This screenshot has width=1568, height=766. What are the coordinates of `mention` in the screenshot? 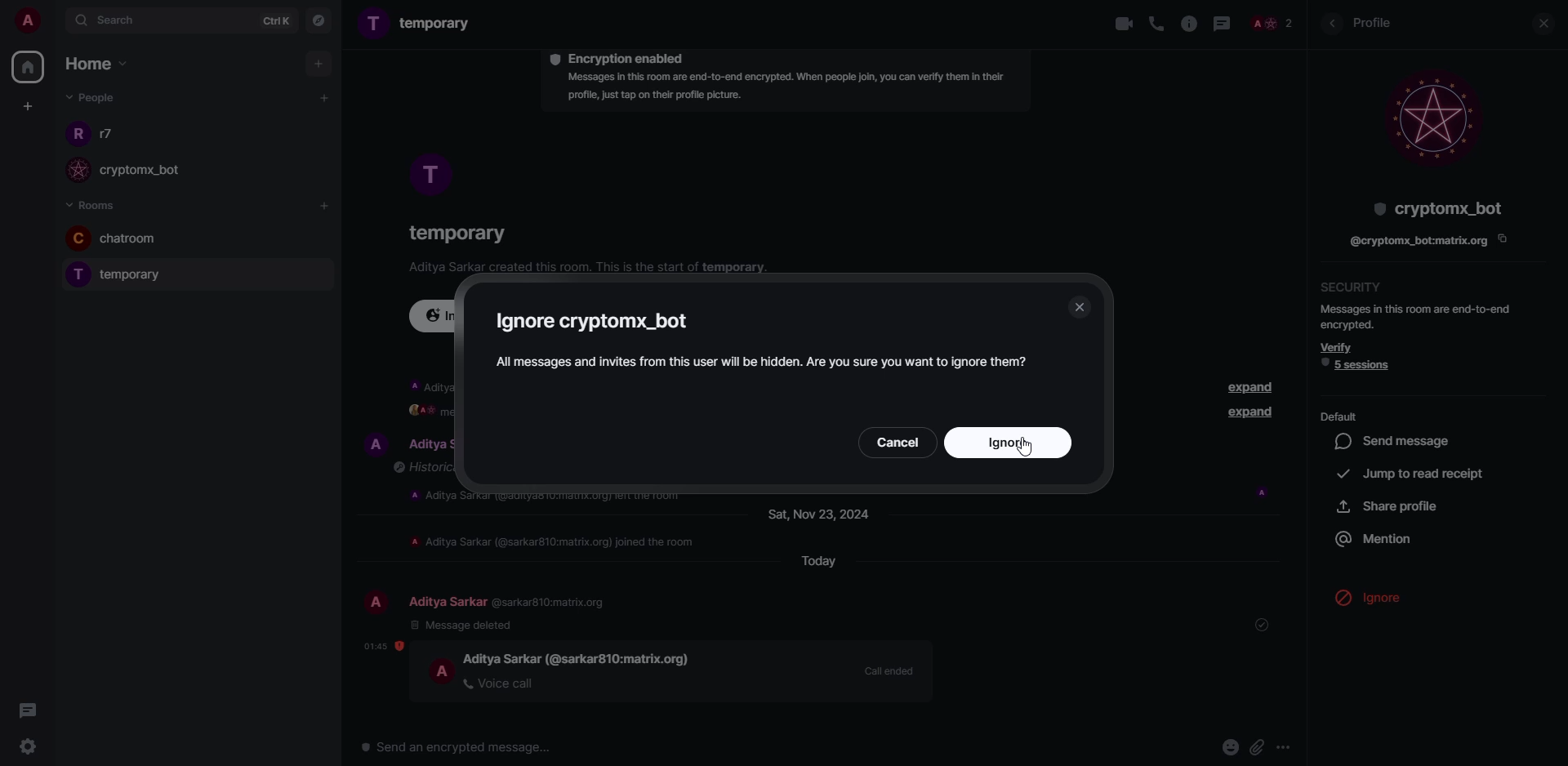 It's located at (1377, 537).